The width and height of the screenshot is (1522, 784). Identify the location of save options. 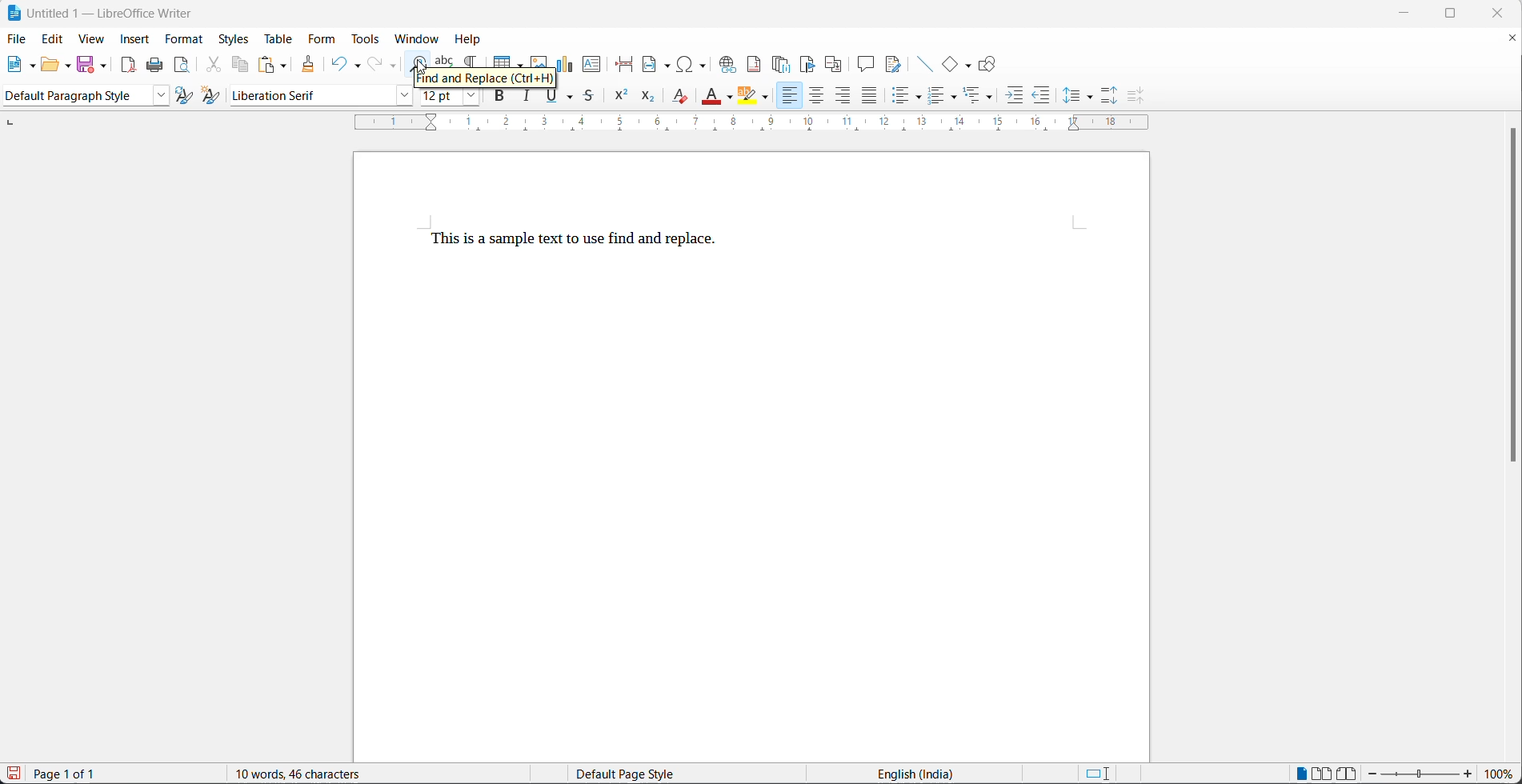
(104, 65).